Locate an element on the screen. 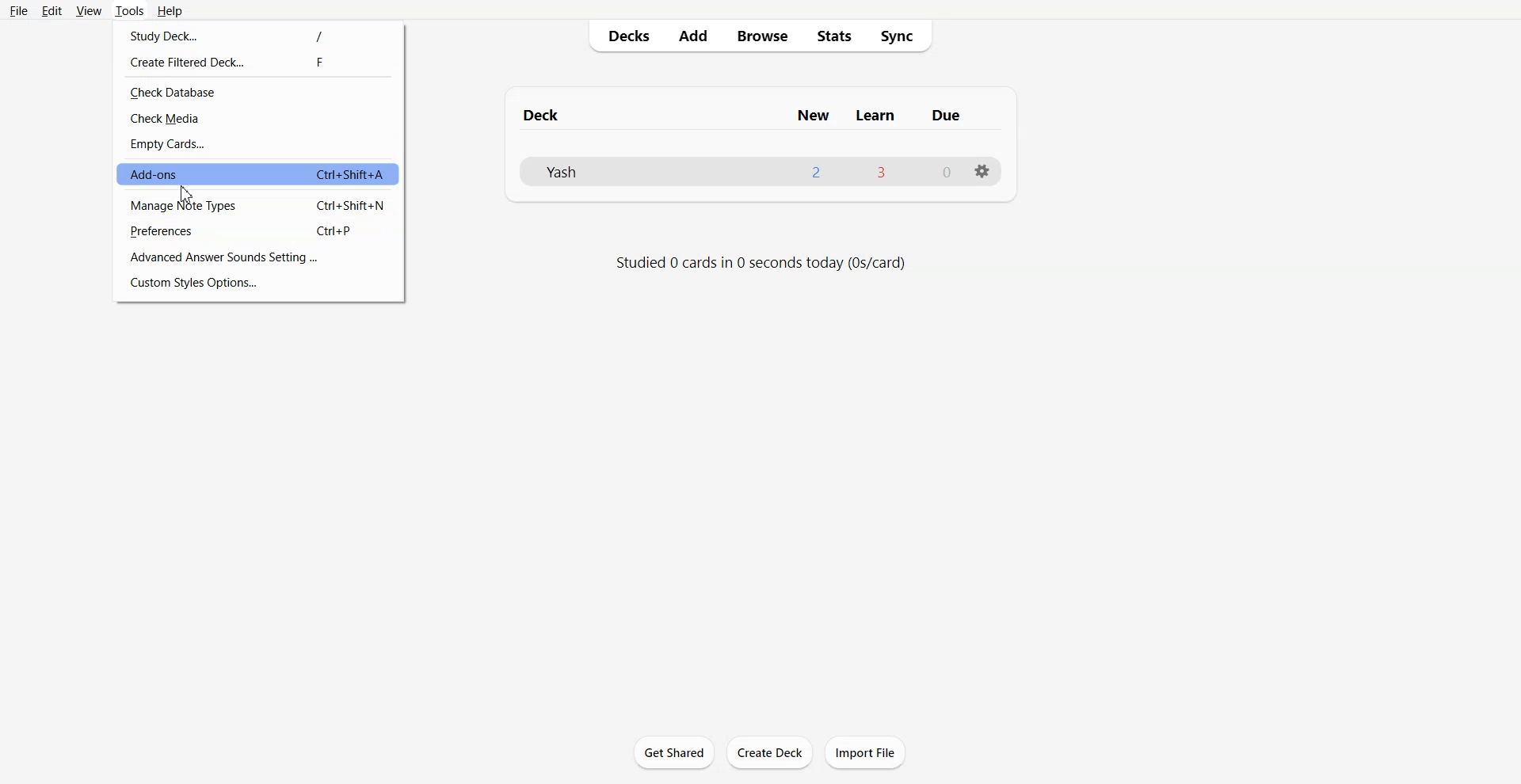 Image resolution: width=1521 pixels, height=784 pixels. Create Filtered Deck is located at coordinates (259, 61).